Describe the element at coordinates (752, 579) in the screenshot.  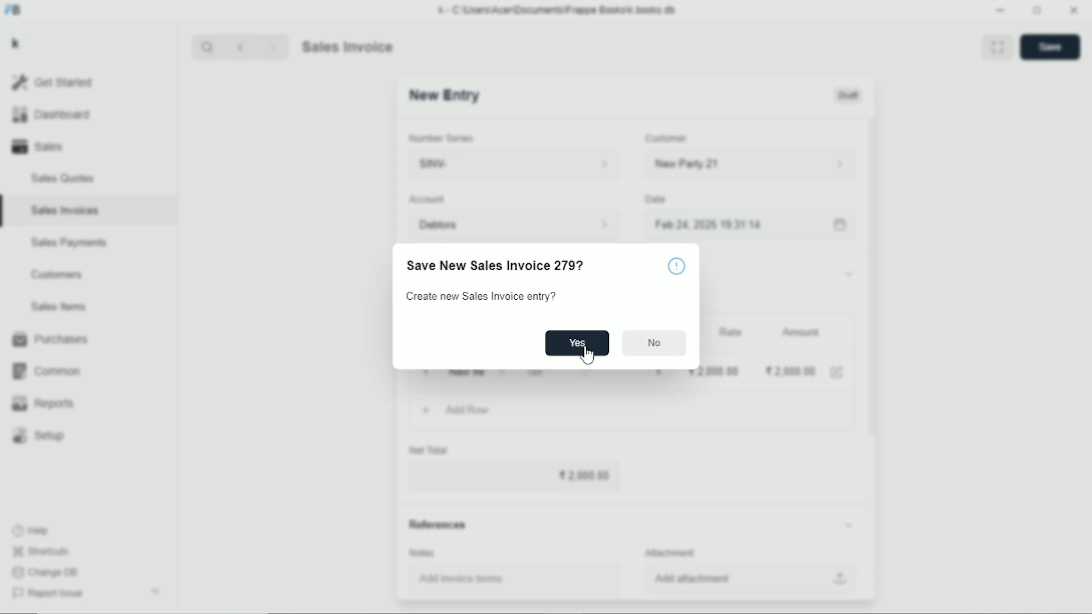
I see `Add attachment` at that location.